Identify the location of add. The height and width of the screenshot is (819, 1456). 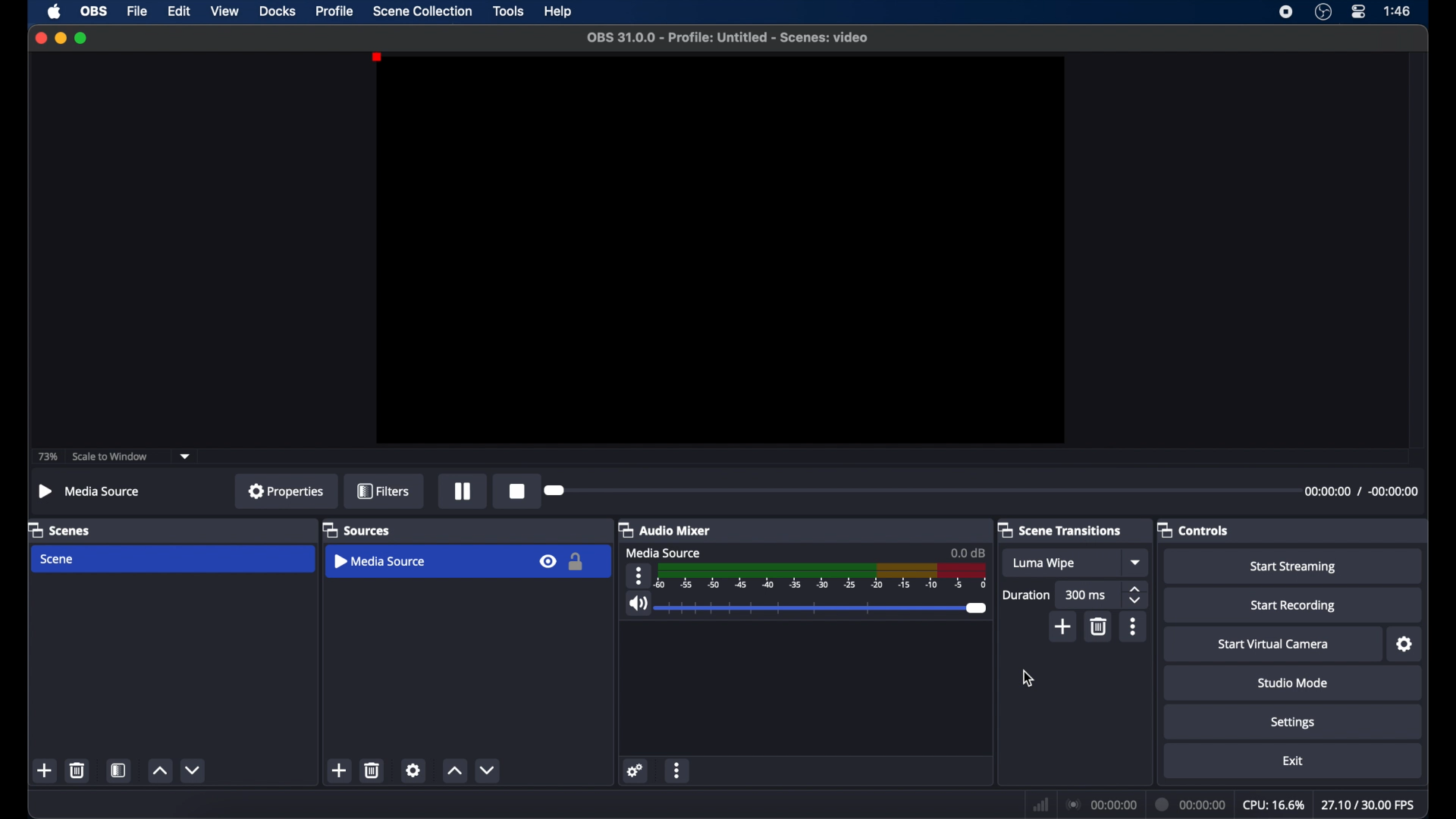
(338, 770).